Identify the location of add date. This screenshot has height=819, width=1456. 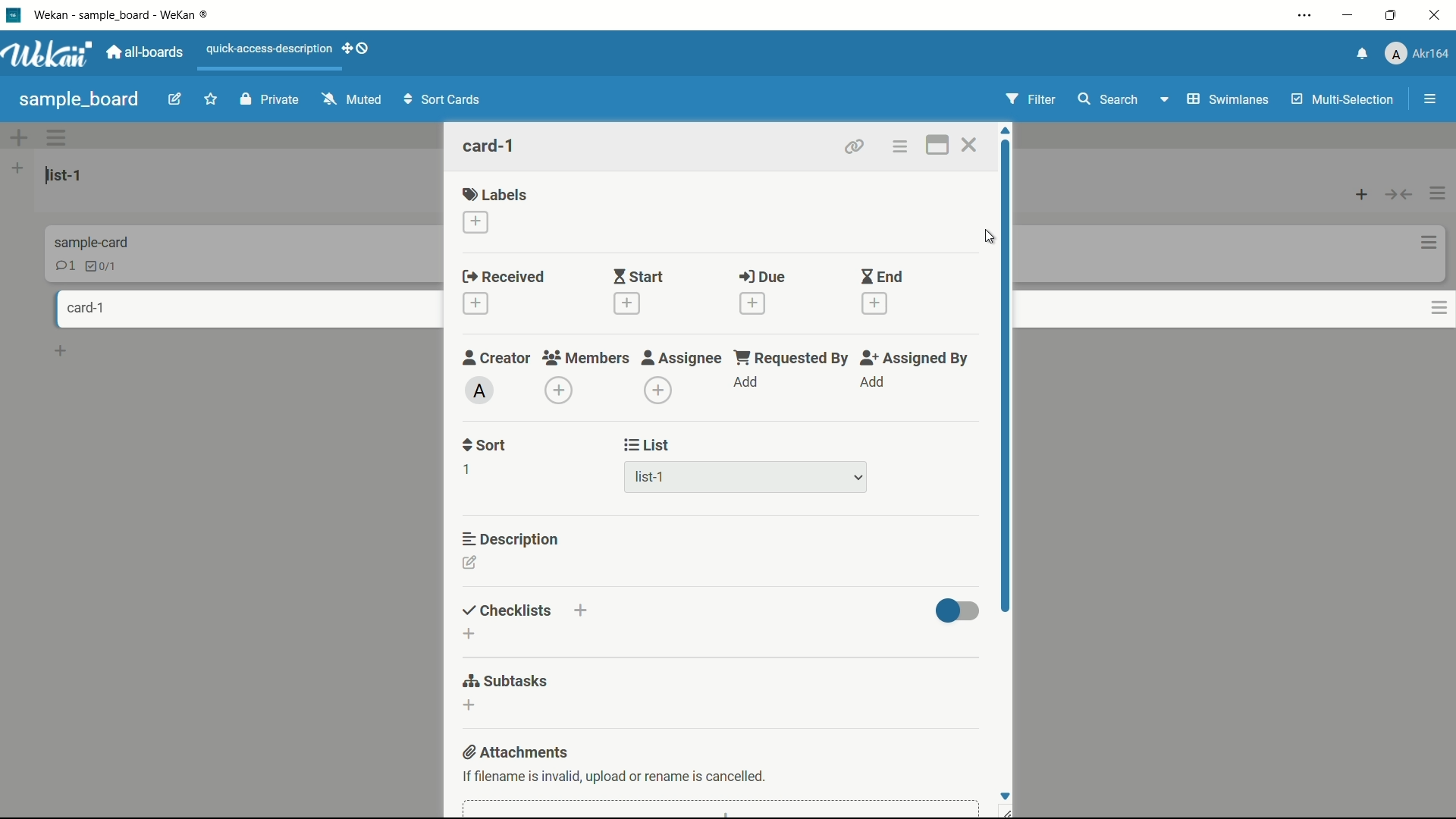
(877, 303).